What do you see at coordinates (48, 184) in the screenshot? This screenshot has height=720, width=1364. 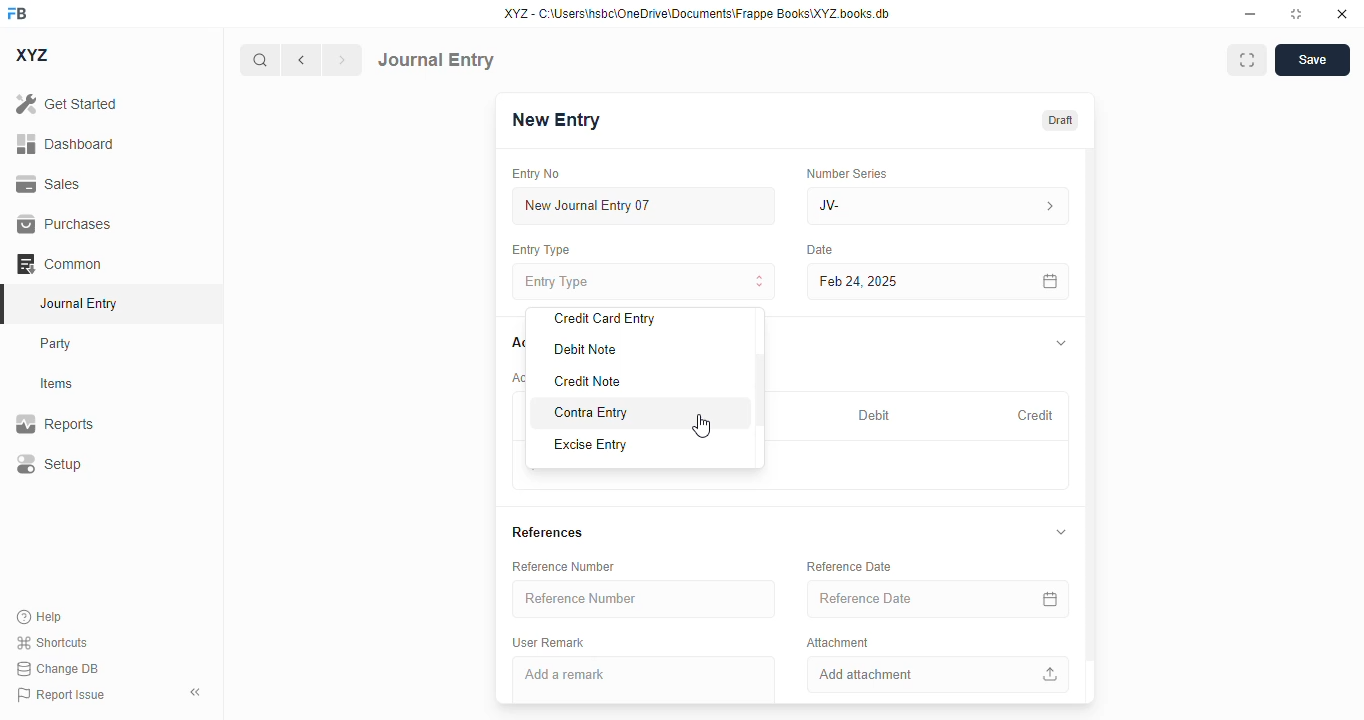 I see `sales` at bounding box center [48, 184].